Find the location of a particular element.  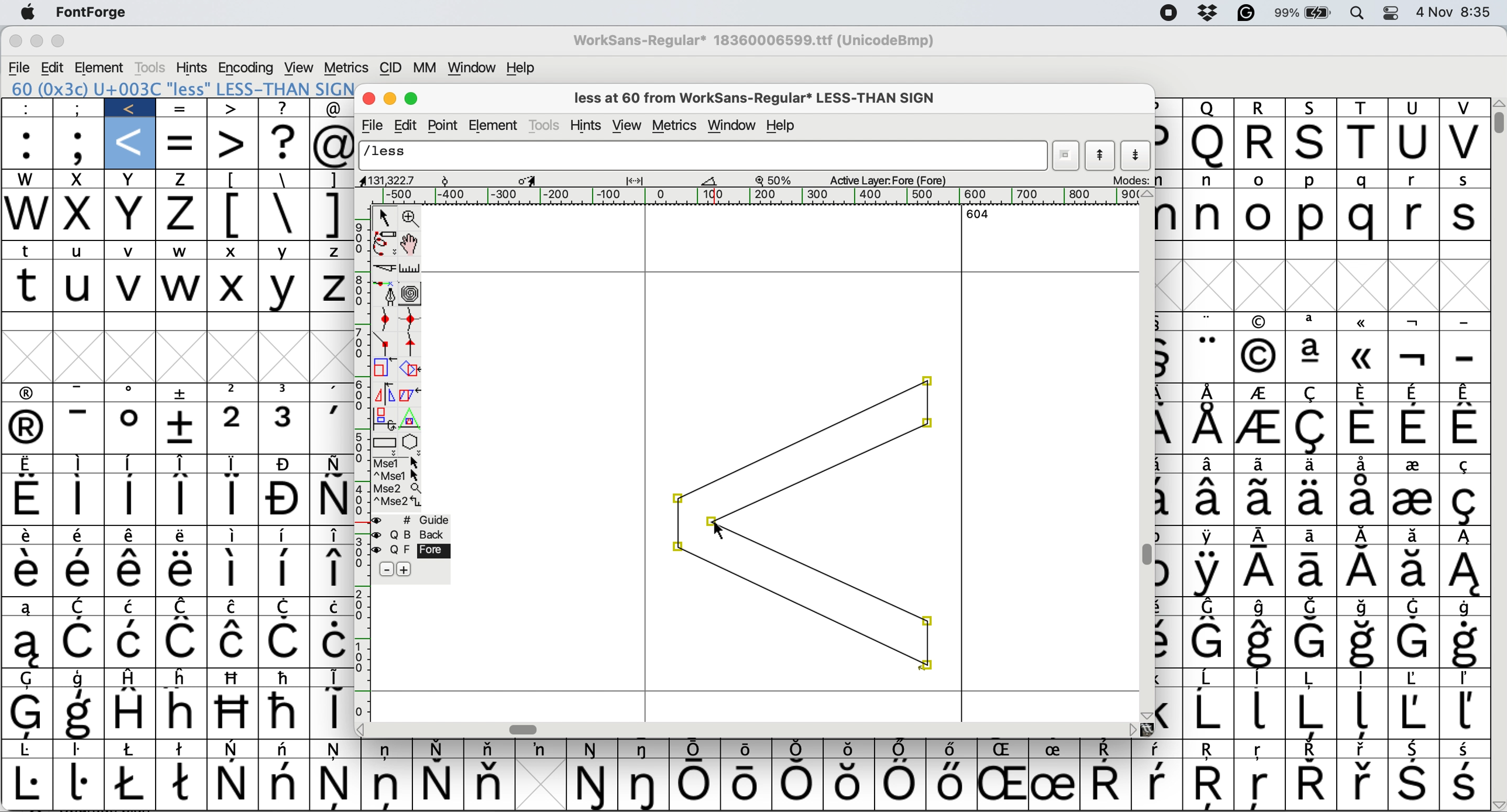

Symbol is located at coordinates (237, 608).